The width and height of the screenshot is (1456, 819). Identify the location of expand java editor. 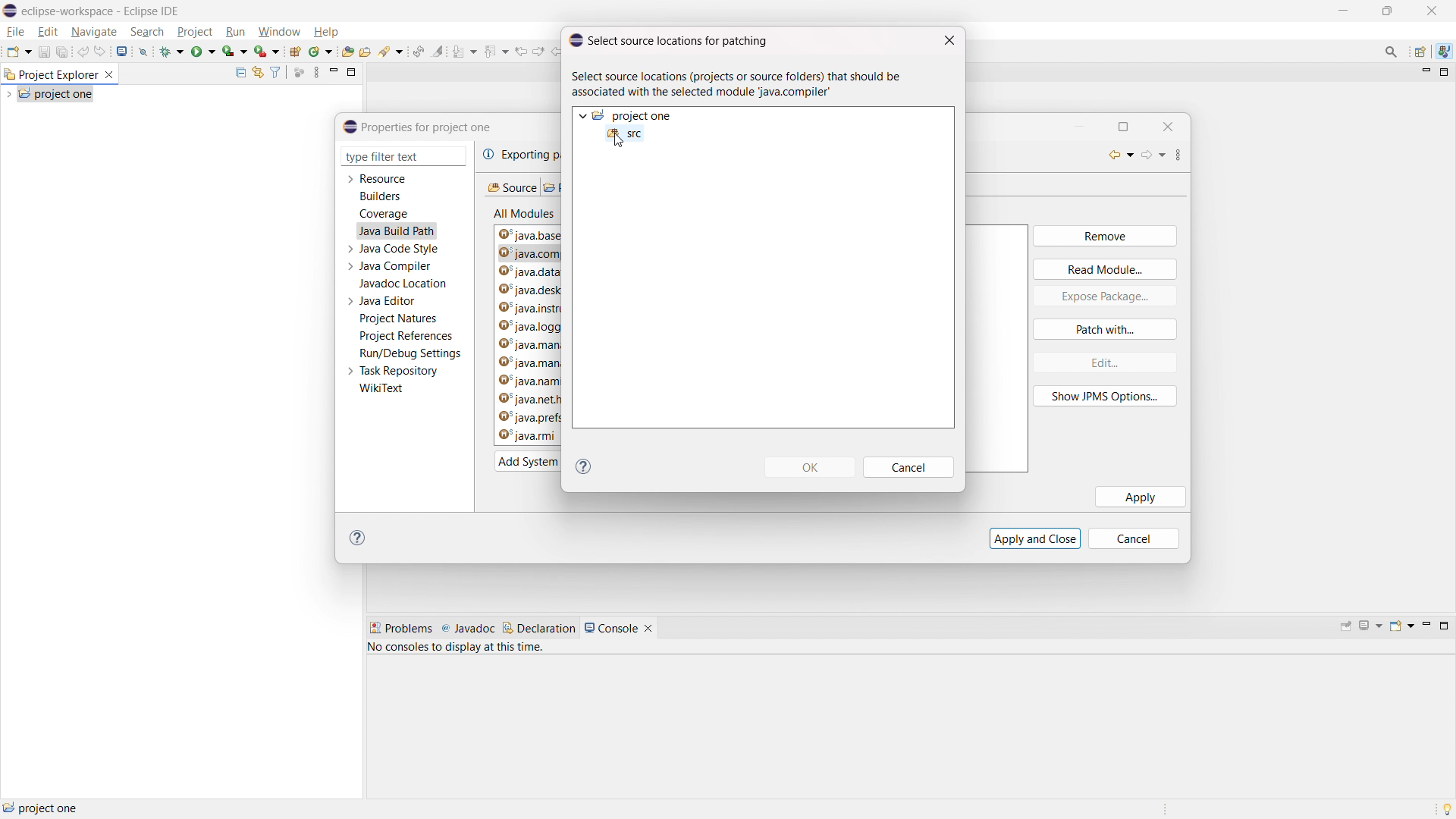
(350, 301).